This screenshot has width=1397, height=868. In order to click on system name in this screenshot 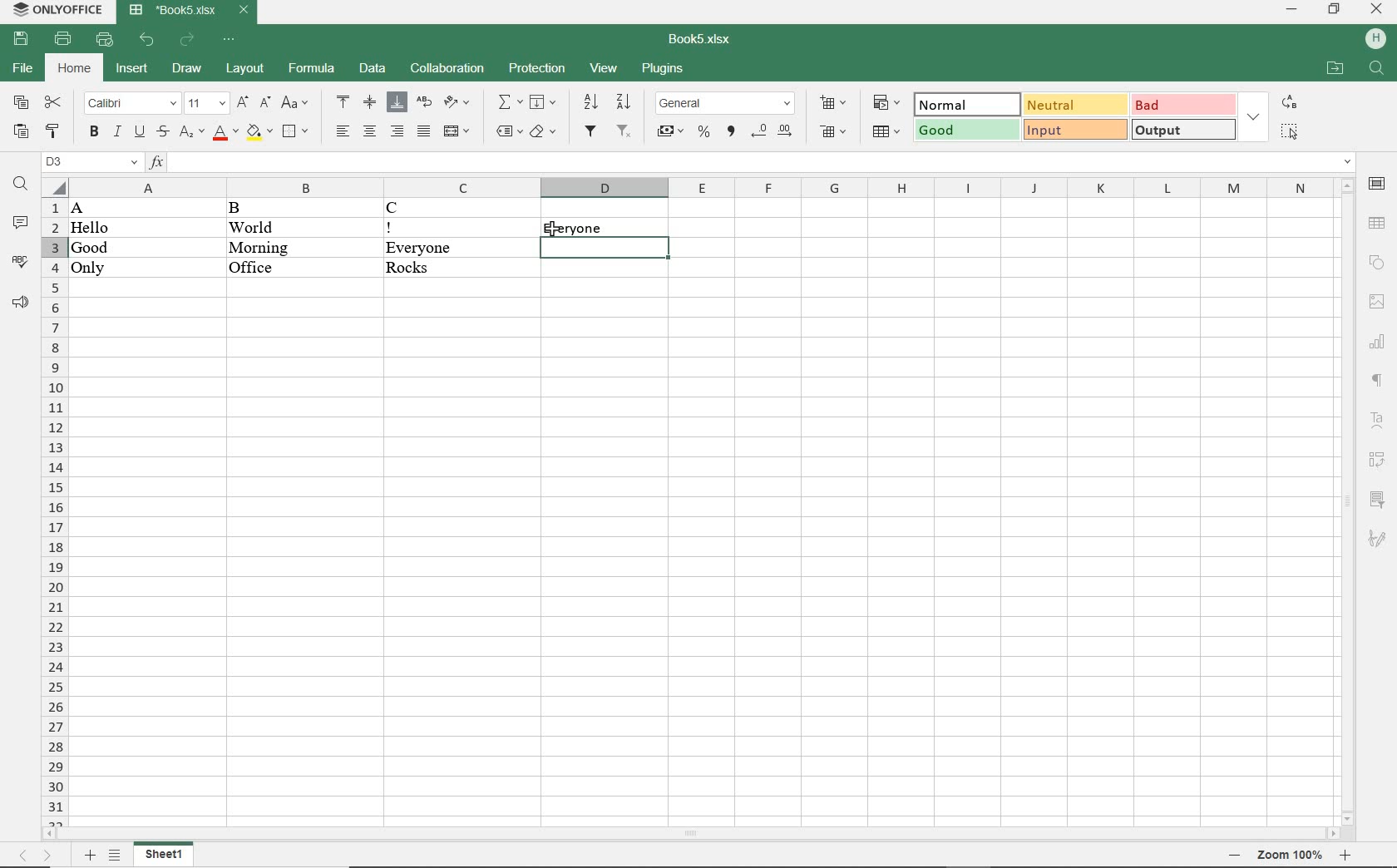, I will do `click(55, 10)`.